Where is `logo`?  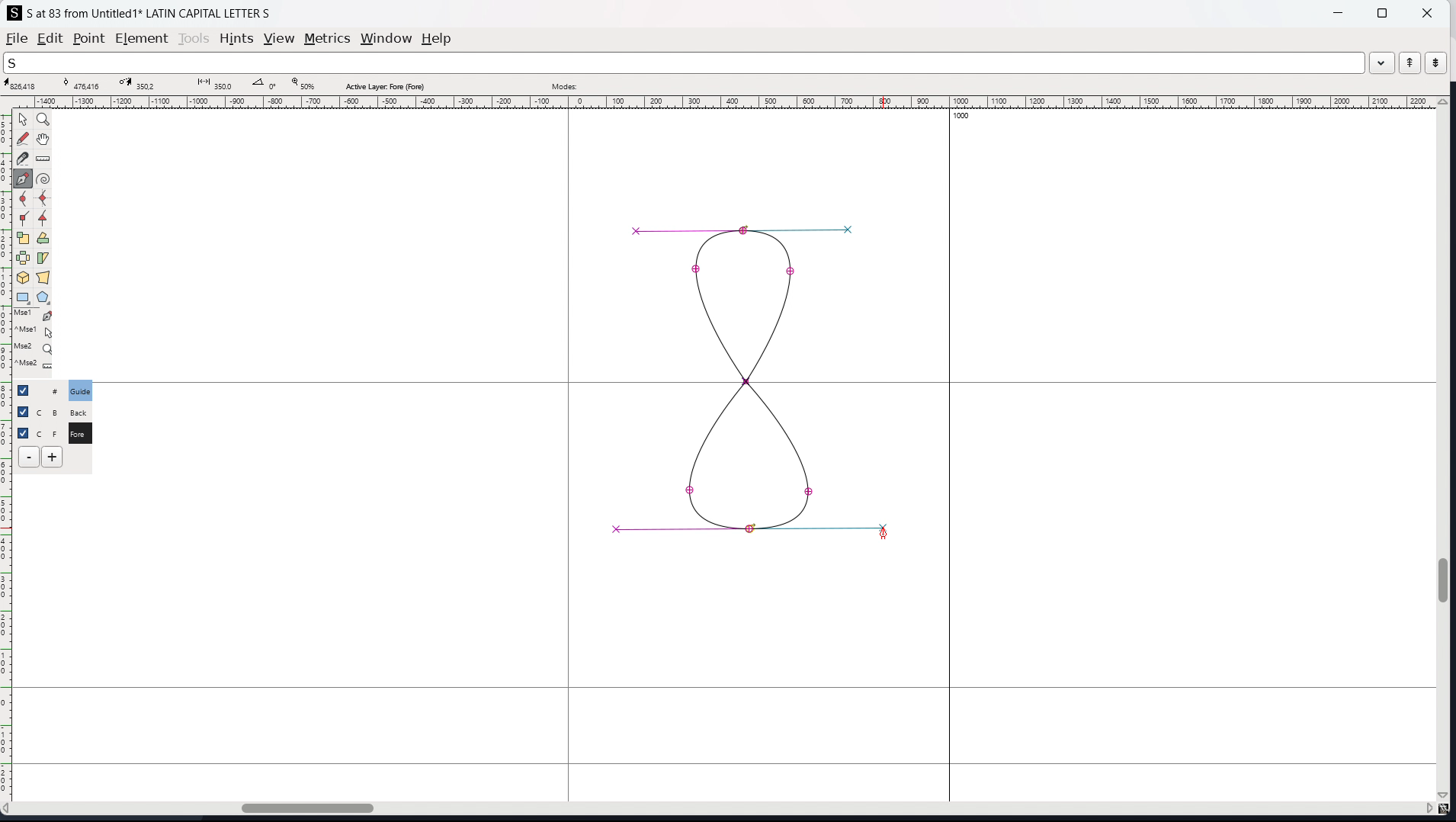 logo is located at coordinates (14, 13).